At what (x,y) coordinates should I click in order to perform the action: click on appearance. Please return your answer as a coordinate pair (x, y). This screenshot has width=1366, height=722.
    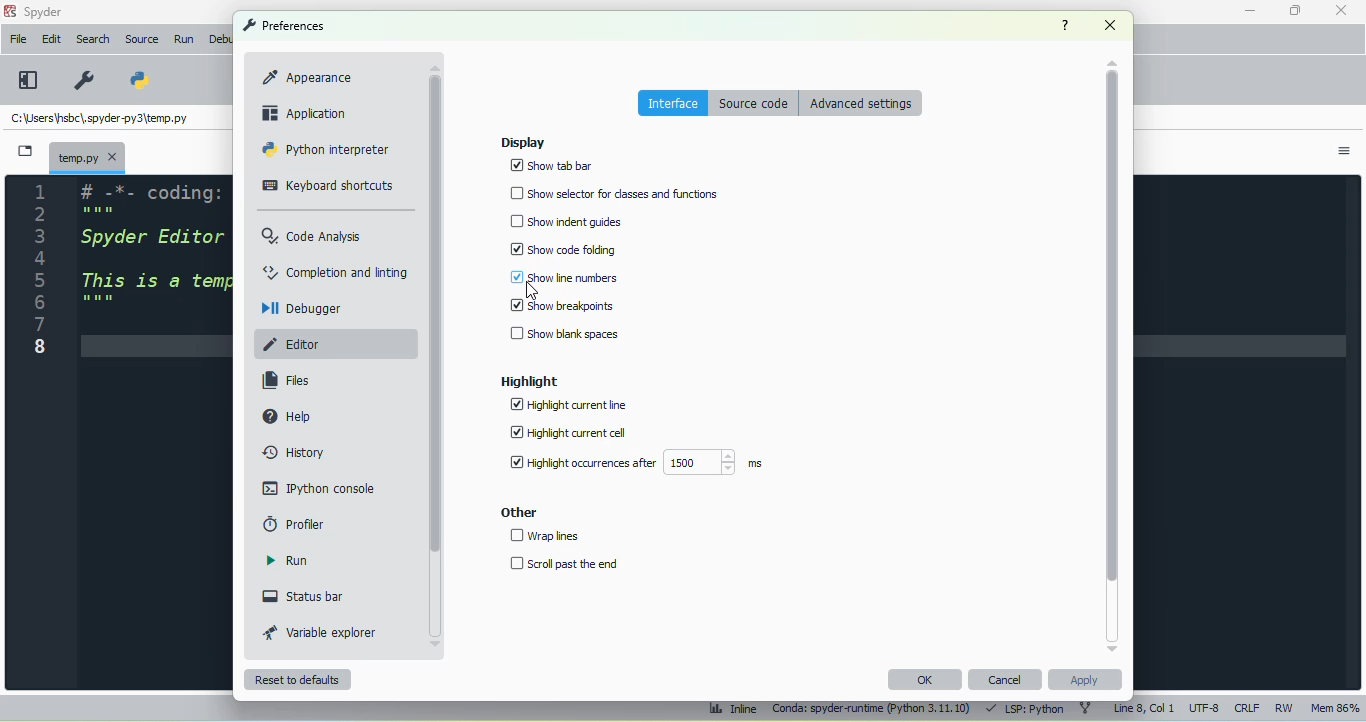
    Looking at the image, I should click on (307, 77).